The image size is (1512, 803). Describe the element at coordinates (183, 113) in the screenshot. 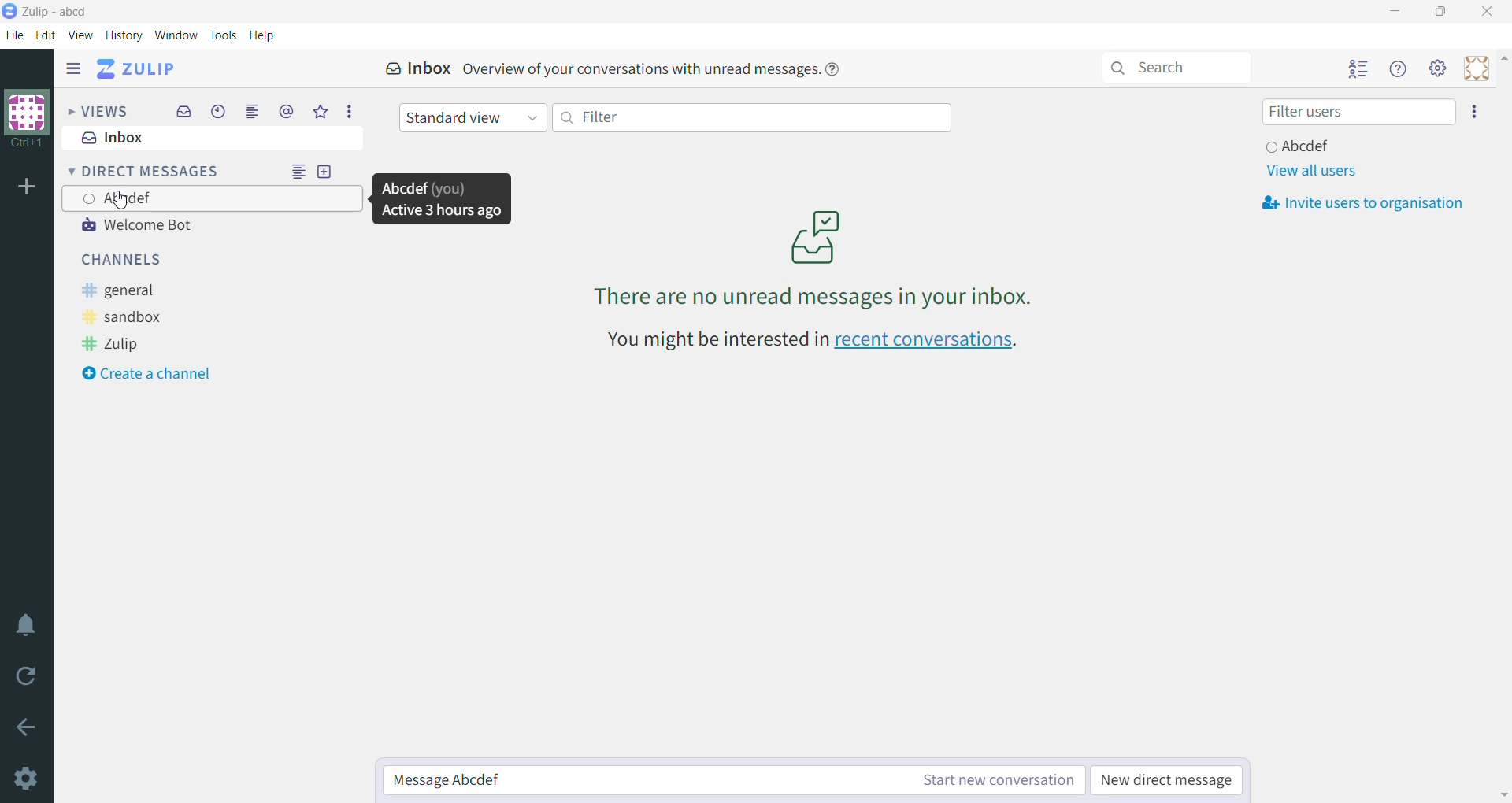

I see `Inbox` at that location.